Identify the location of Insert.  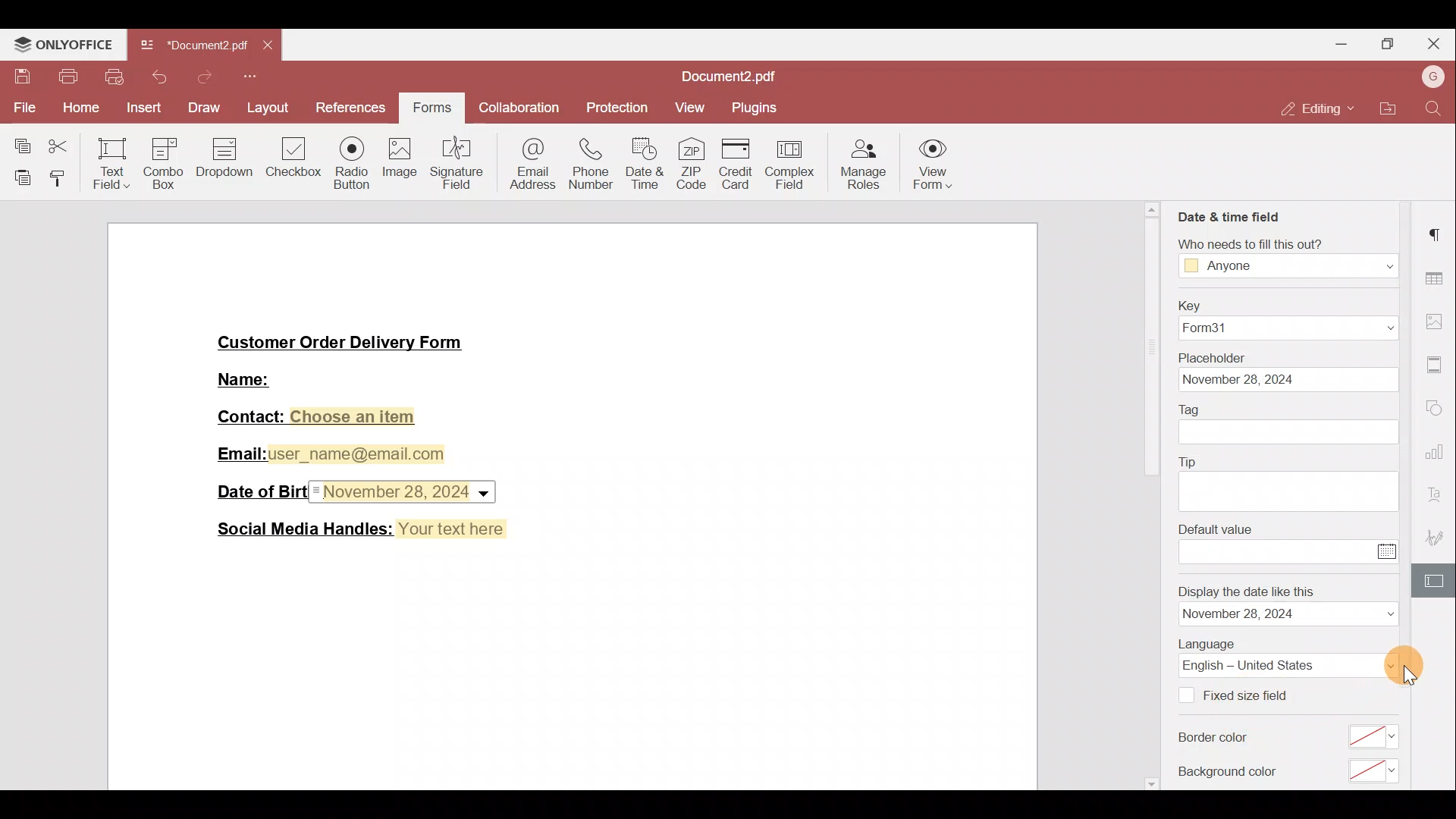
(143, 108).